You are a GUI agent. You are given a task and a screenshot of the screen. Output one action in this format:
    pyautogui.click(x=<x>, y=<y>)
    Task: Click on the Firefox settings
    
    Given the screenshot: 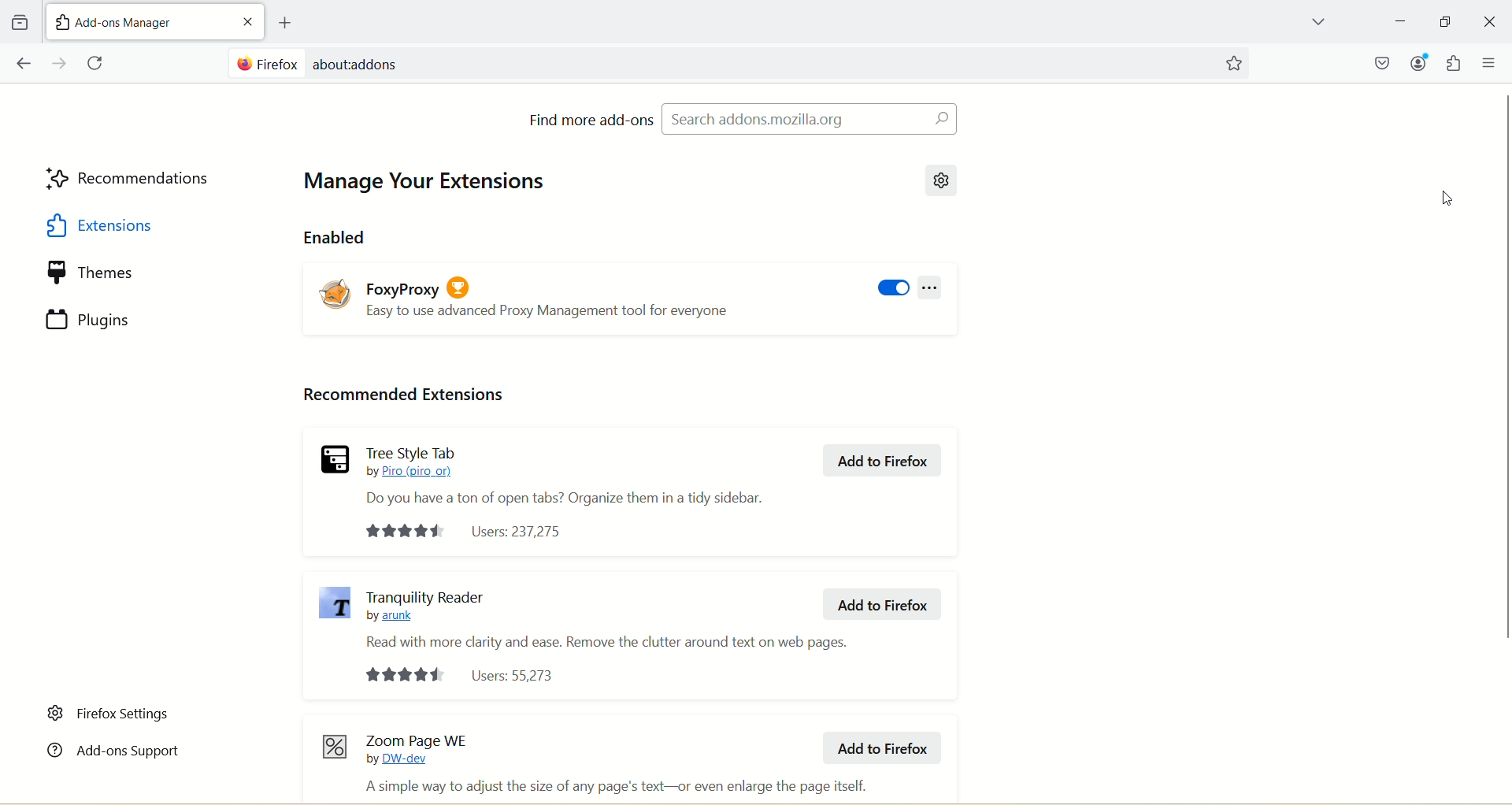 What is the action you would take?
    pyautogui.click(x=110, y=714)
    